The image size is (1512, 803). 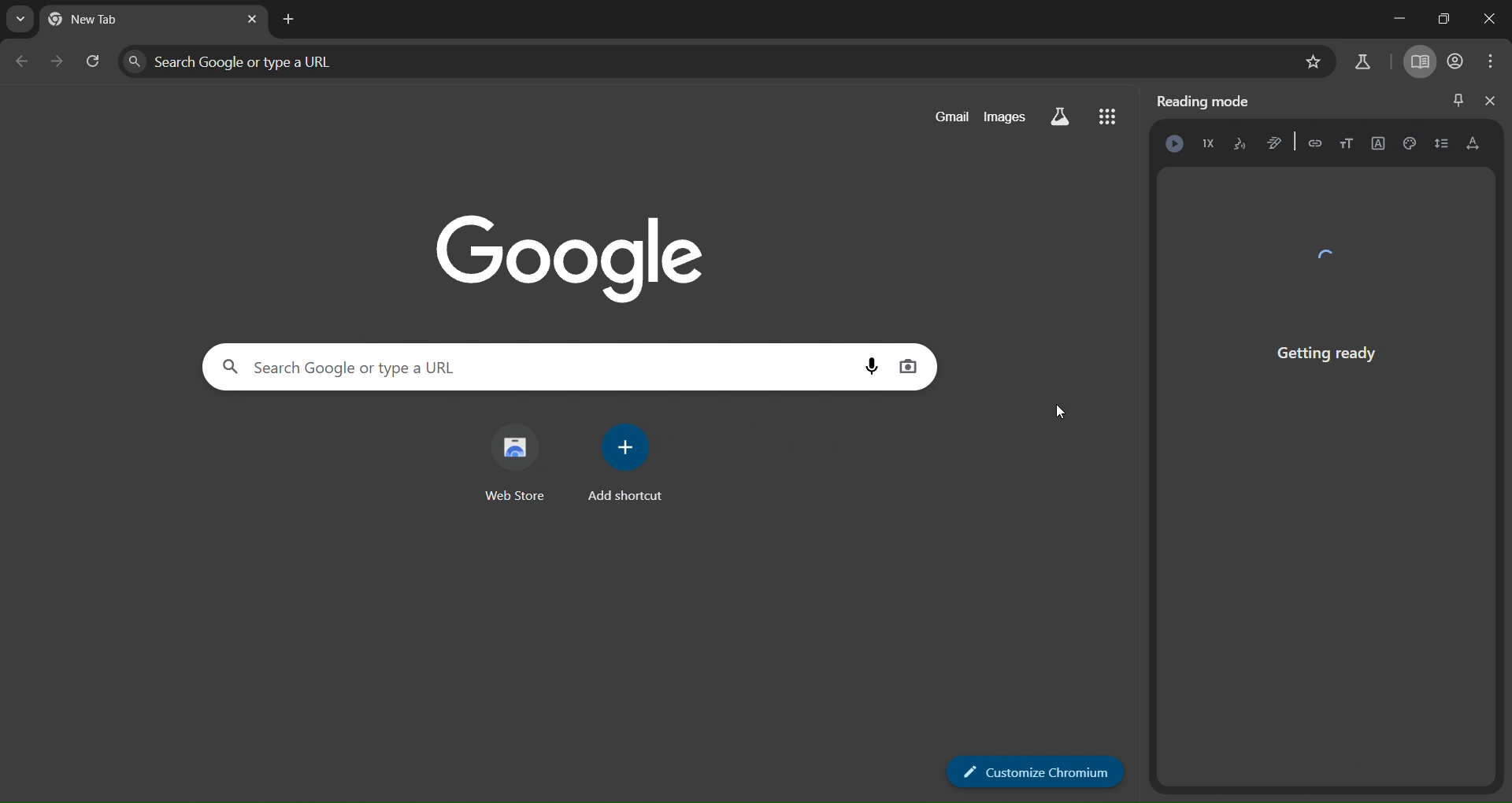 What do you see at coordinates (1456, 96) in the screenshot?
I see `pin` at bounding box center [1456, 96].